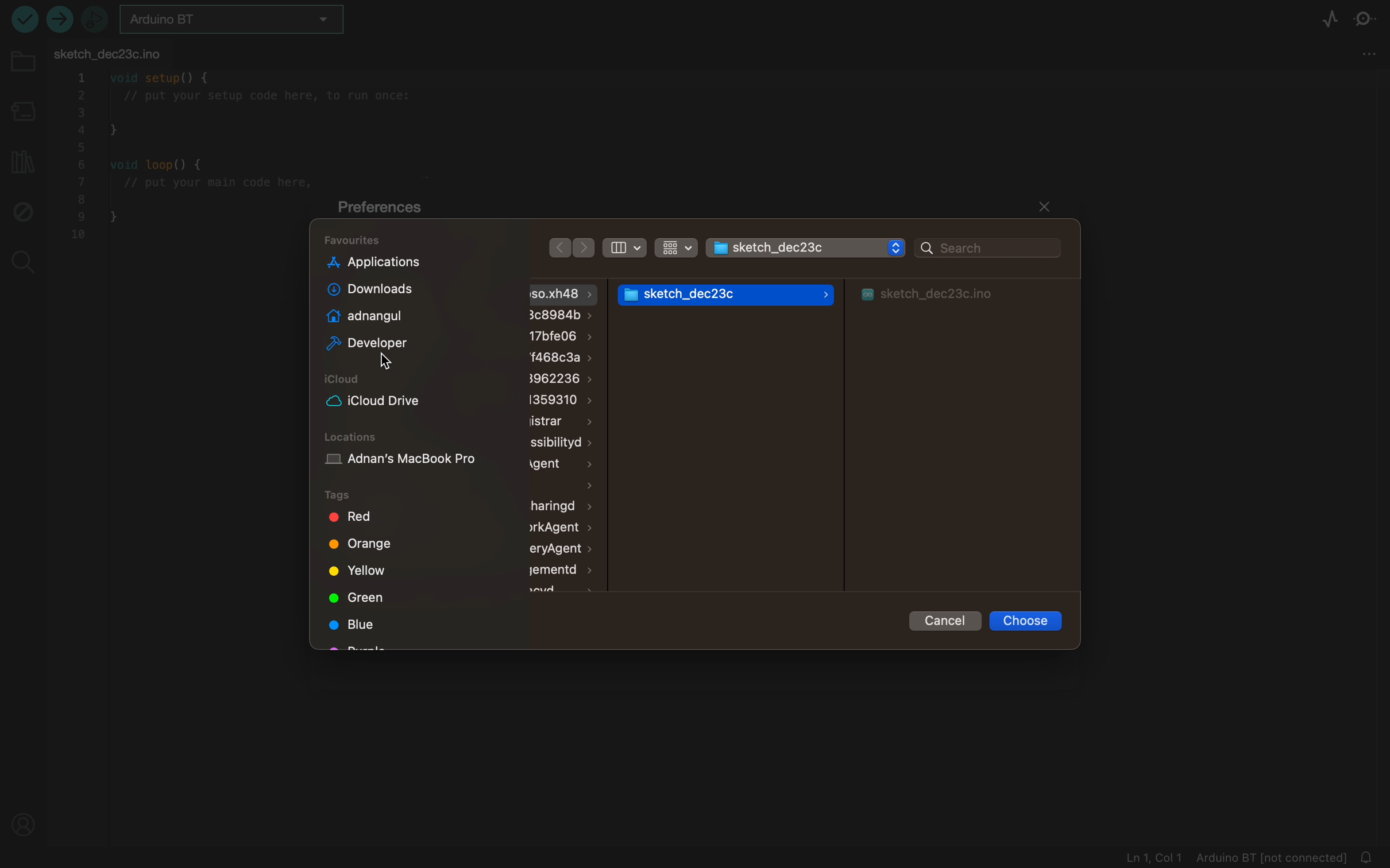 The image size is (1390, 868). I want to click on library, so click(22, 164).